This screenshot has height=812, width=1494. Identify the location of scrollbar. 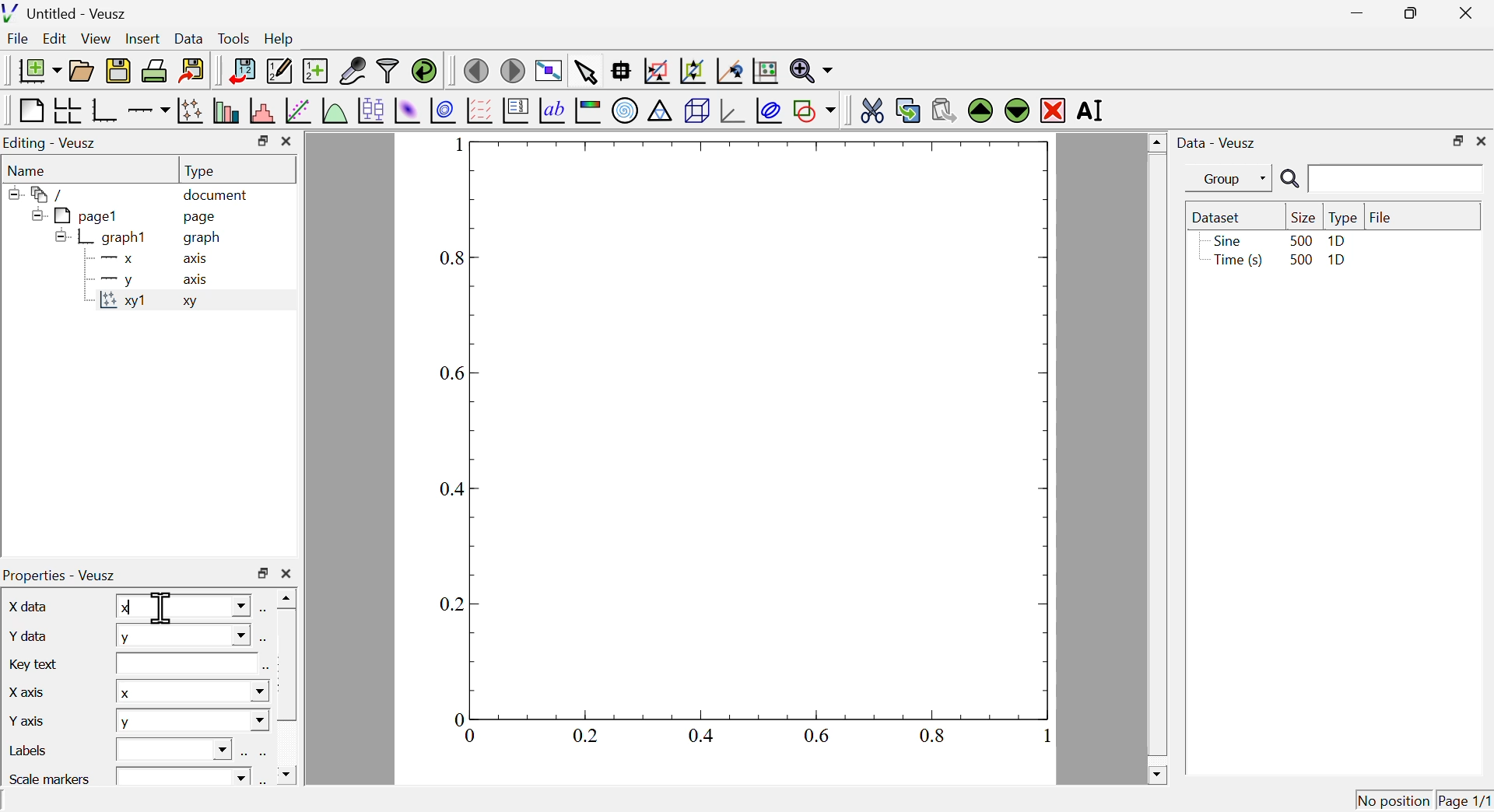
(1156, 458).